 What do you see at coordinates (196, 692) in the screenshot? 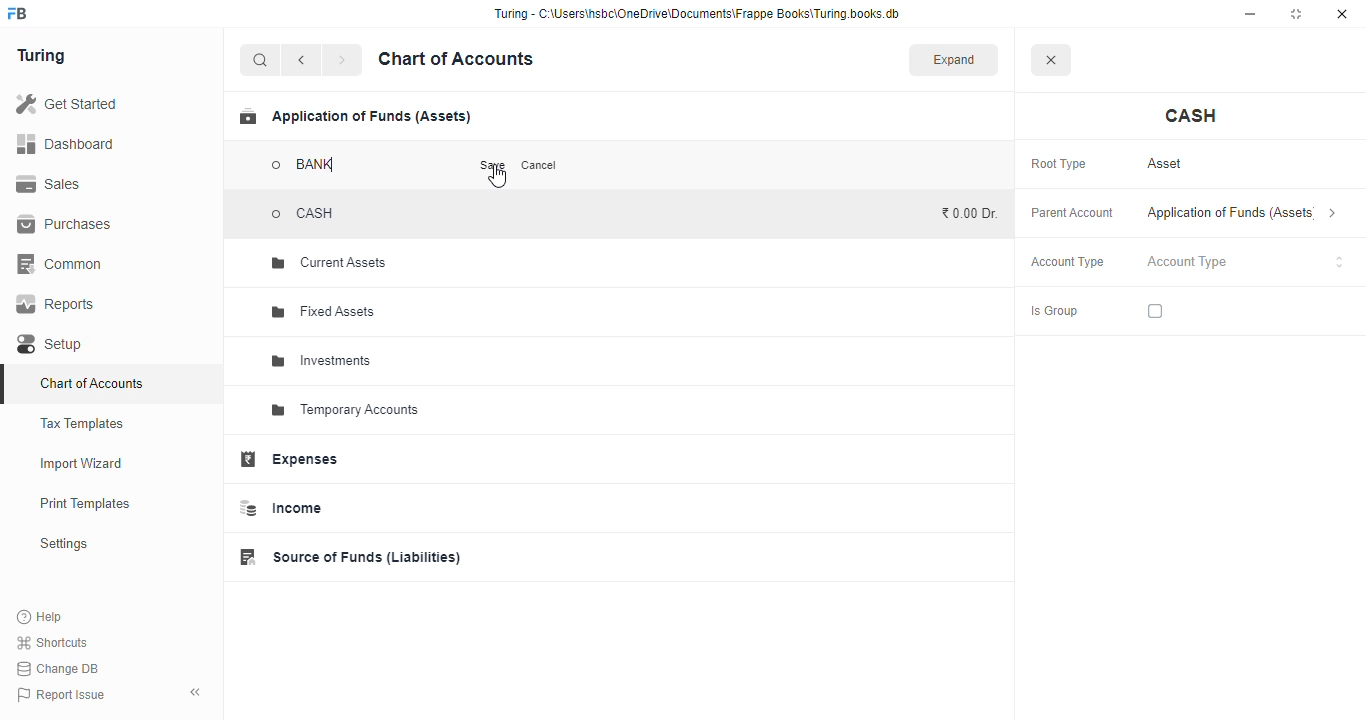
I see `toggle sidebar` at bounding box center [196, 692].